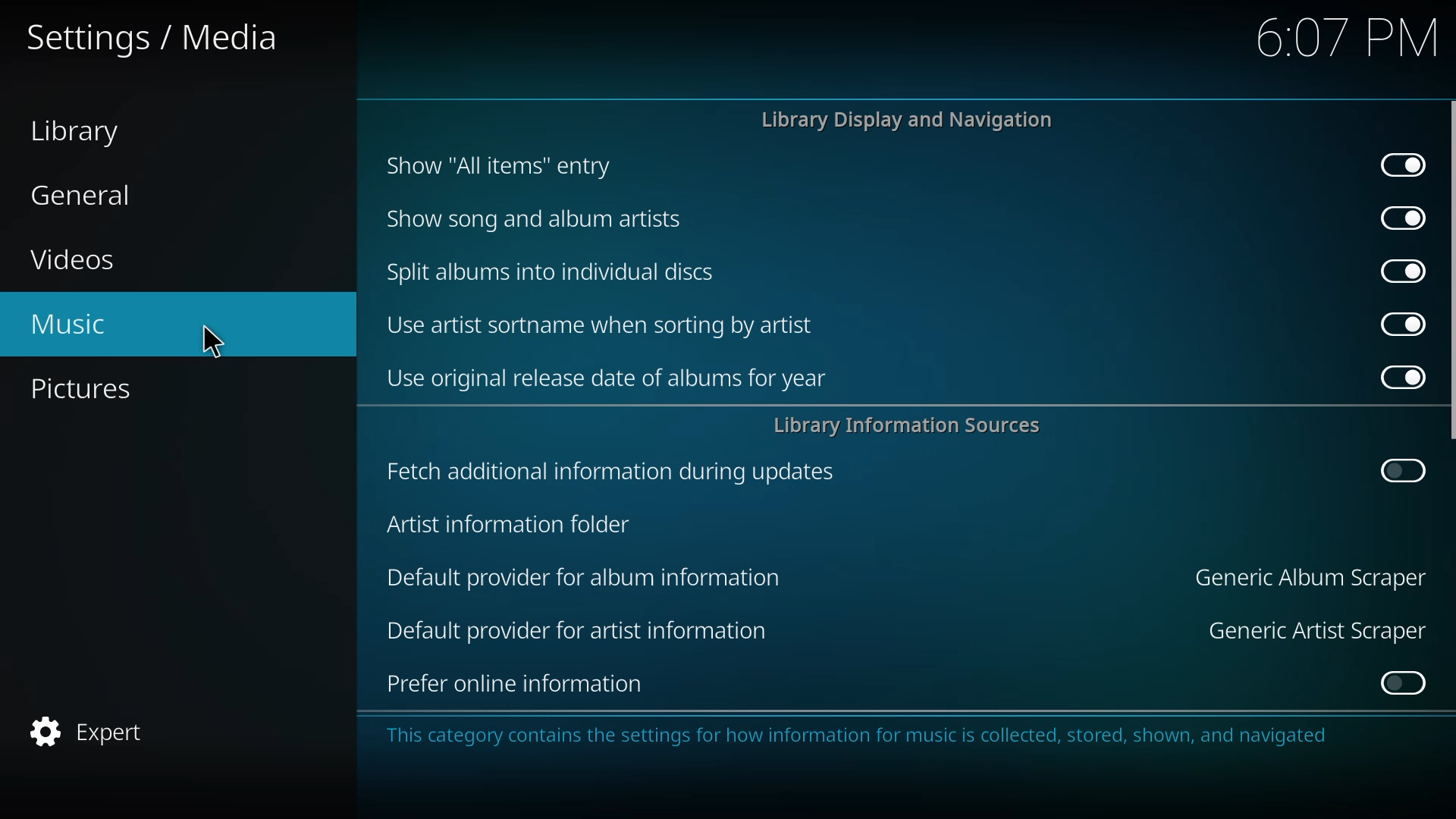 This screenshot has width=1456, height=819. I want to click on 6:07 pm, so click(1339, 39).